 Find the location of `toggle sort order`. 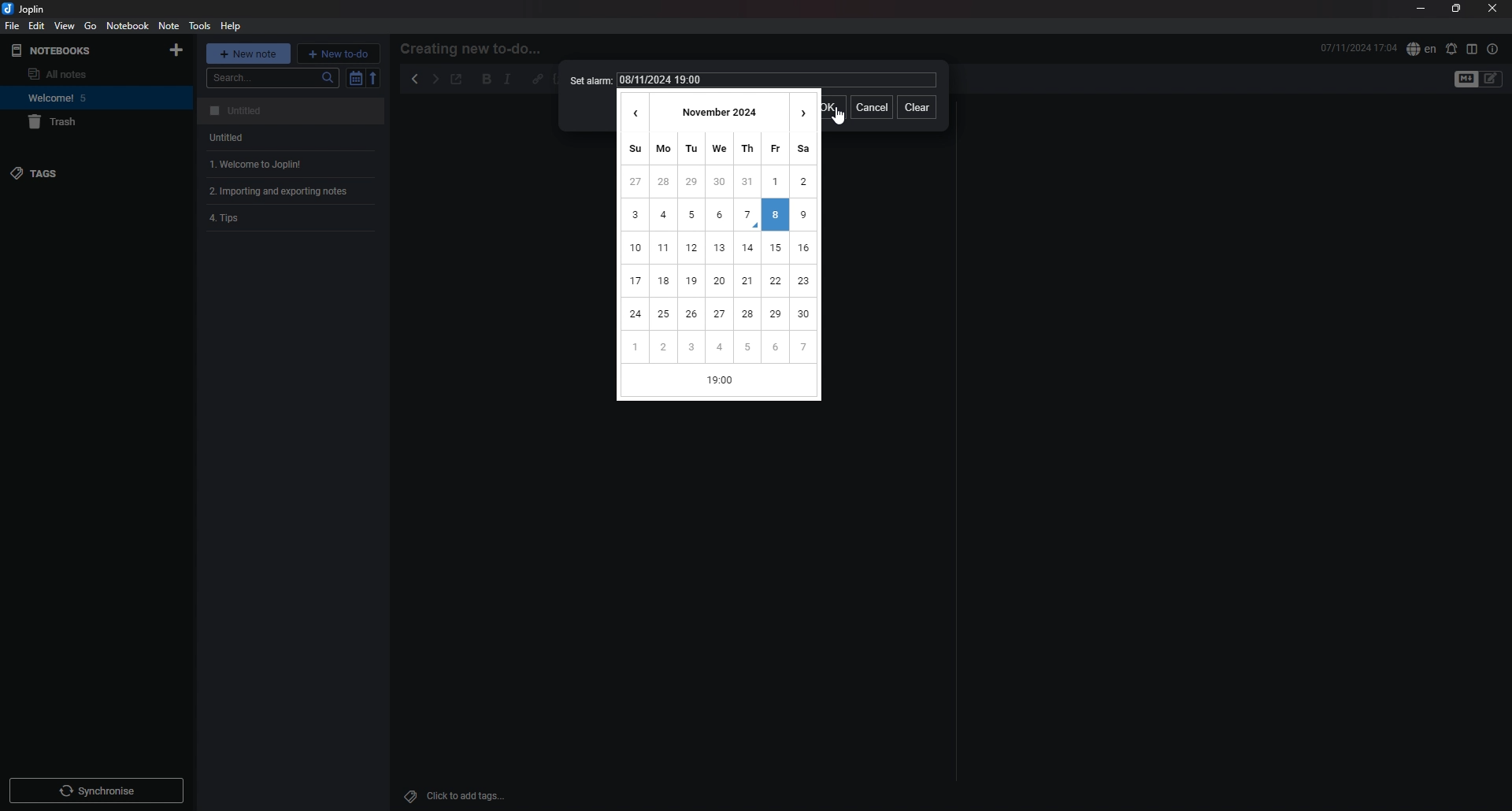

toggle sort order is located at coordinates (354, 78).